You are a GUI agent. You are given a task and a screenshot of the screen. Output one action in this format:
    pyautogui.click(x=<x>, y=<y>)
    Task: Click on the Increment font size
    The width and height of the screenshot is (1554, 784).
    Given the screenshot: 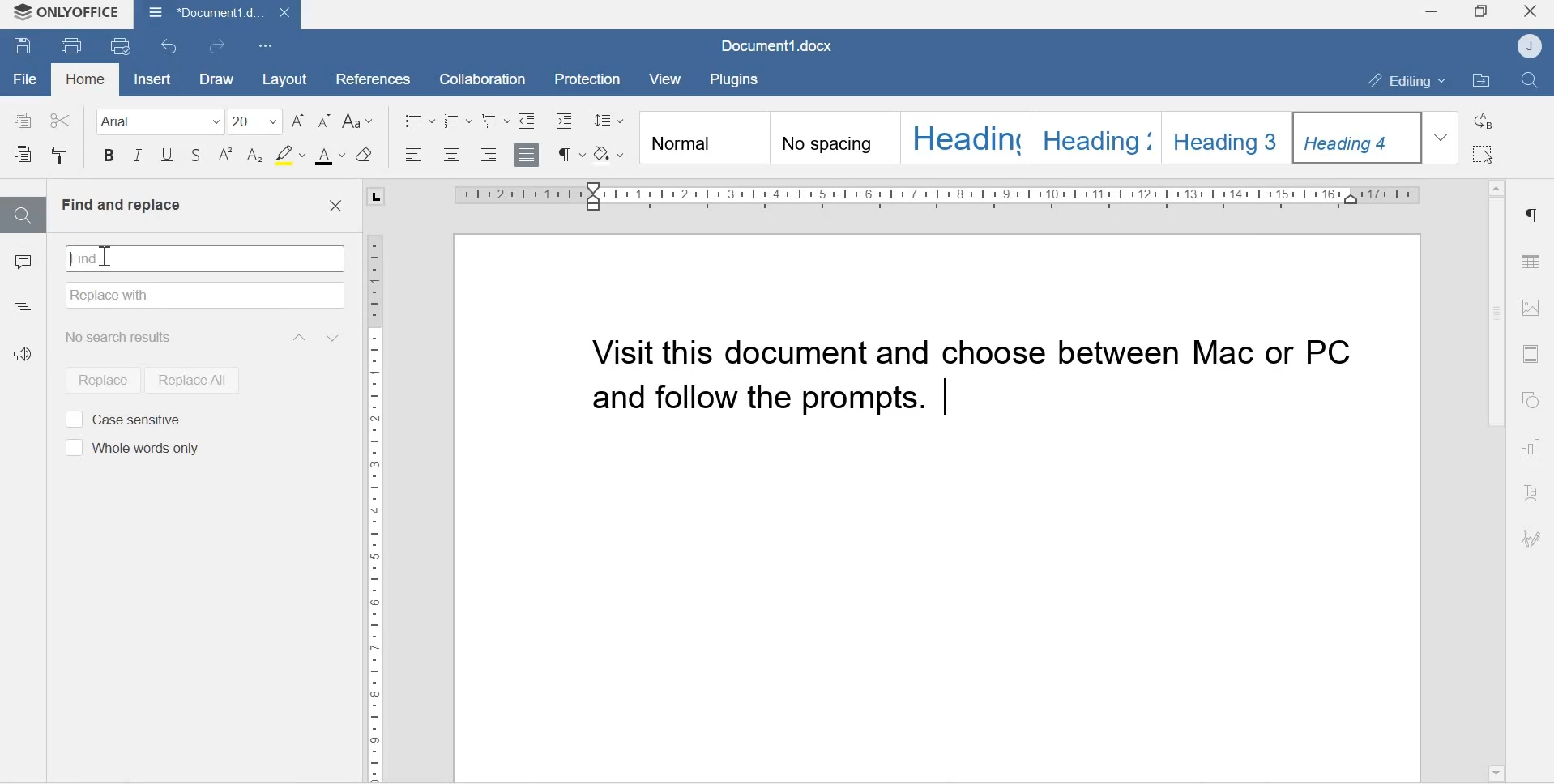 What is the action you would take?
    pyautogui.click(x=300, y=121)
    